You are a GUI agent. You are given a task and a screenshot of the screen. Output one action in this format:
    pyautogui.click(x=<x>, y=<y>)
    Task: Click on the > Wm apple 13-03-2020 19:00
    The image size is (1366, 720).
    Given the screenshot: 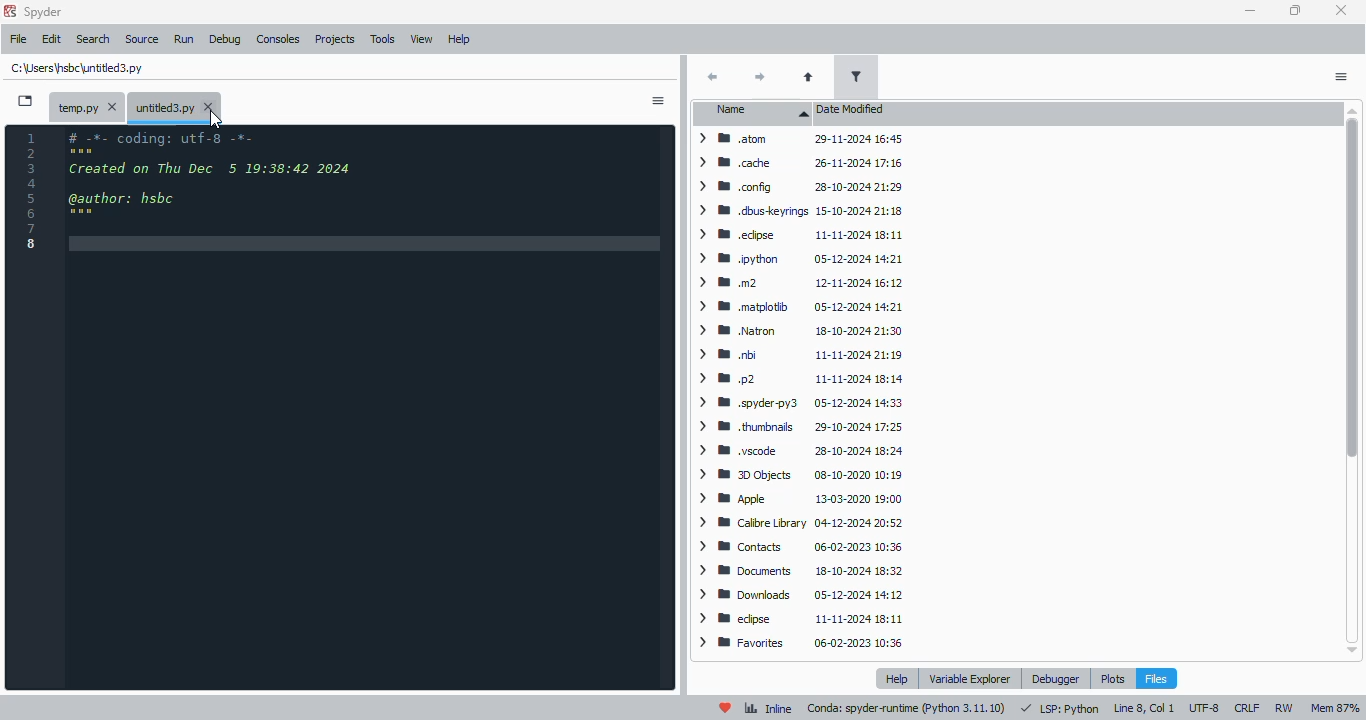 What is the action you would take?
    pyautogui.click(x=802, y=500)
    